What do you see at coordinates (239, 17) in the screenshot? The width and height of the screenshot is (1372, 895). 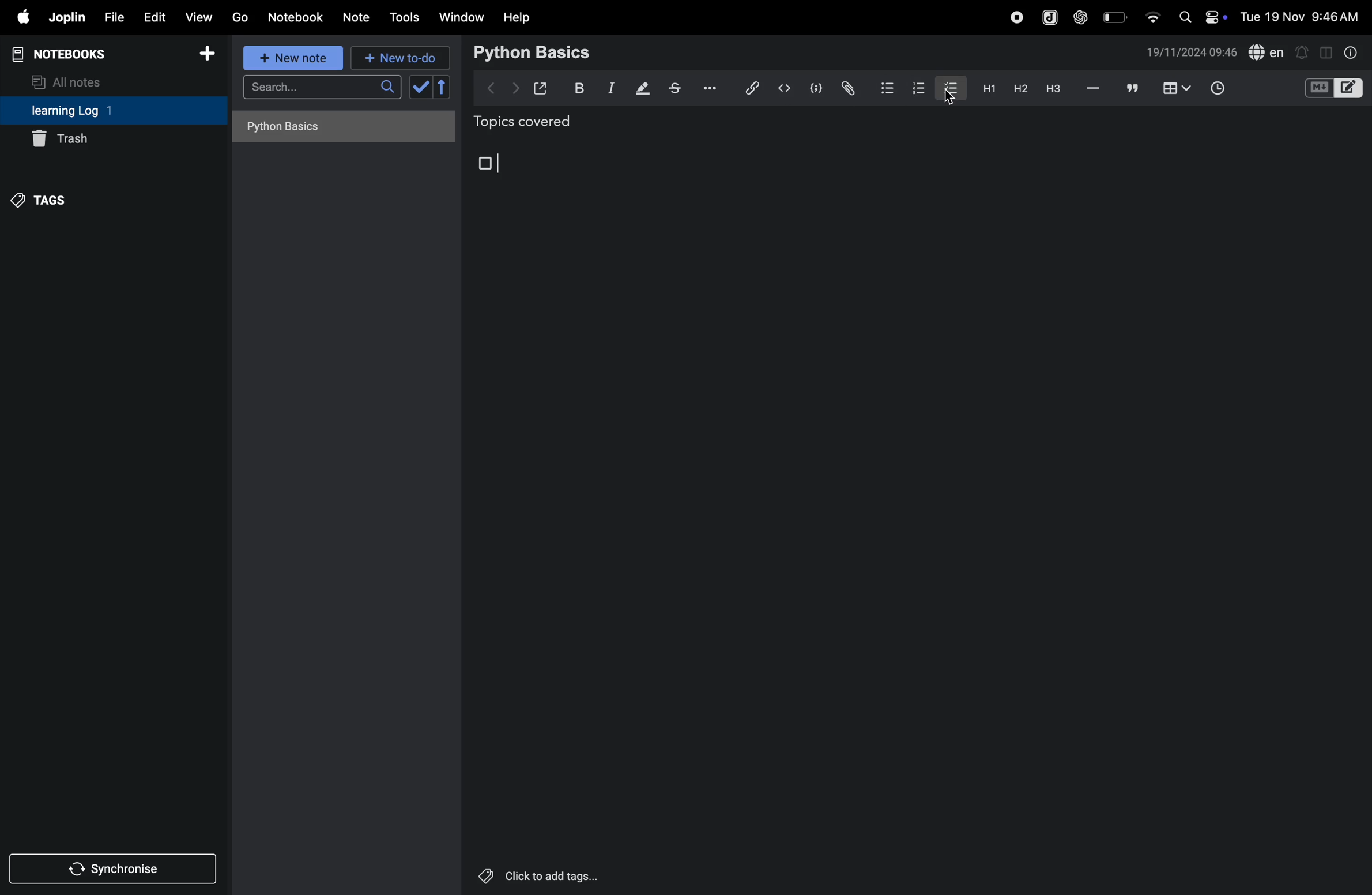 I see `go` at bounding box center [239, 17].